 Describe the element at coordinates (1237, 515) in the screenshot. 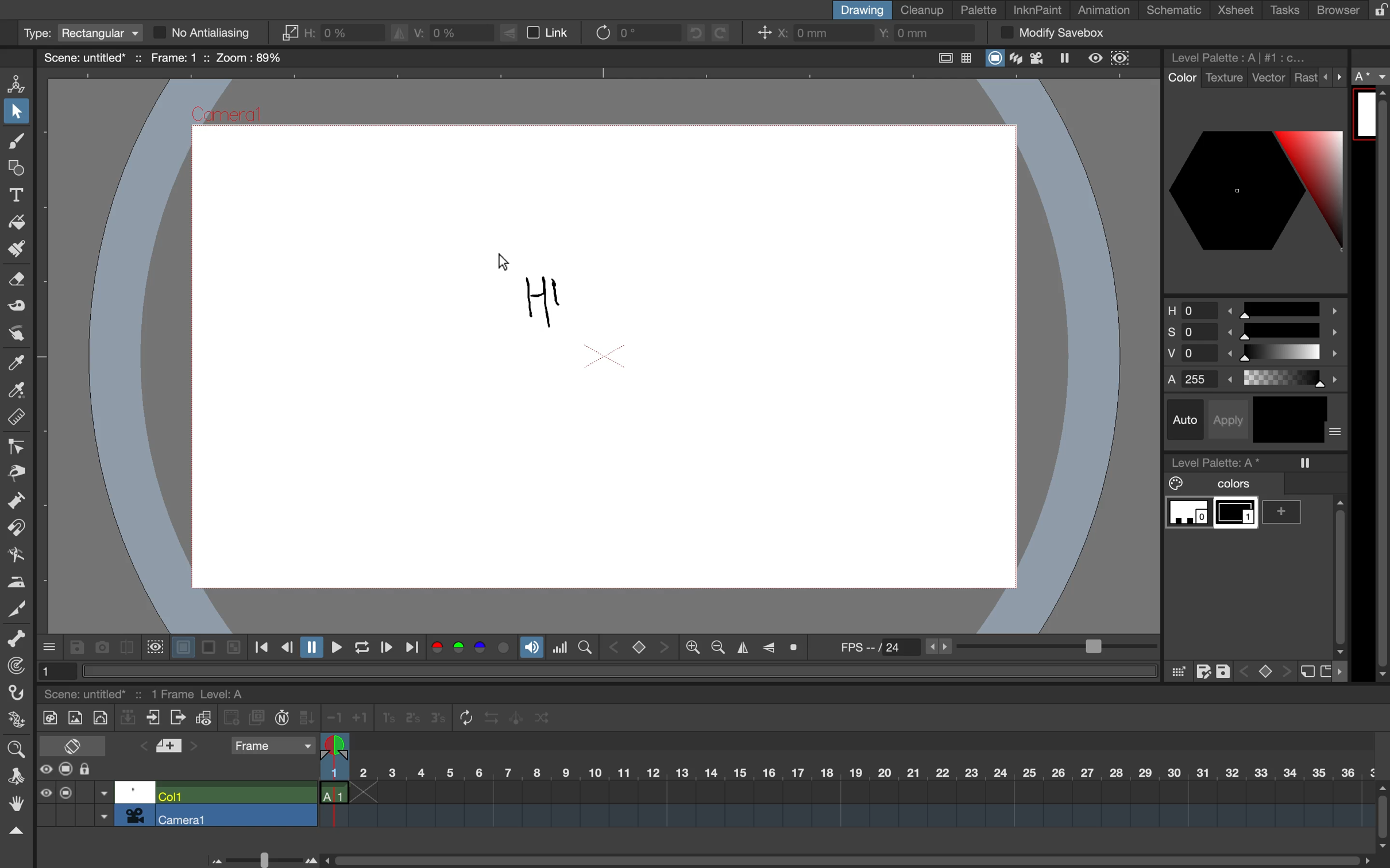

I see `color 1` at that location.